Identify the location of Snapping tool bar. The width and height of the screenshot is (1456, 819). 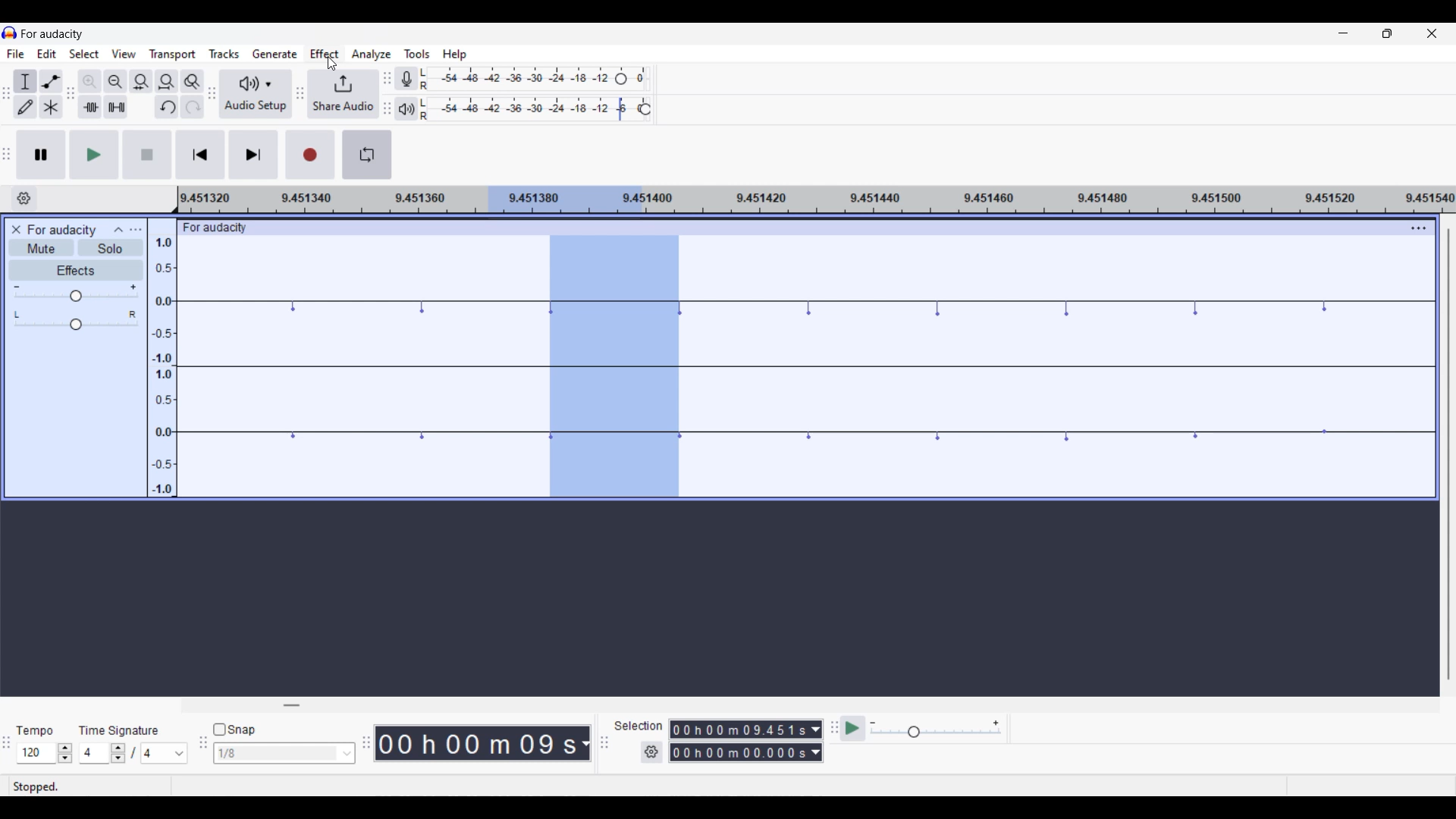
(202, 748).